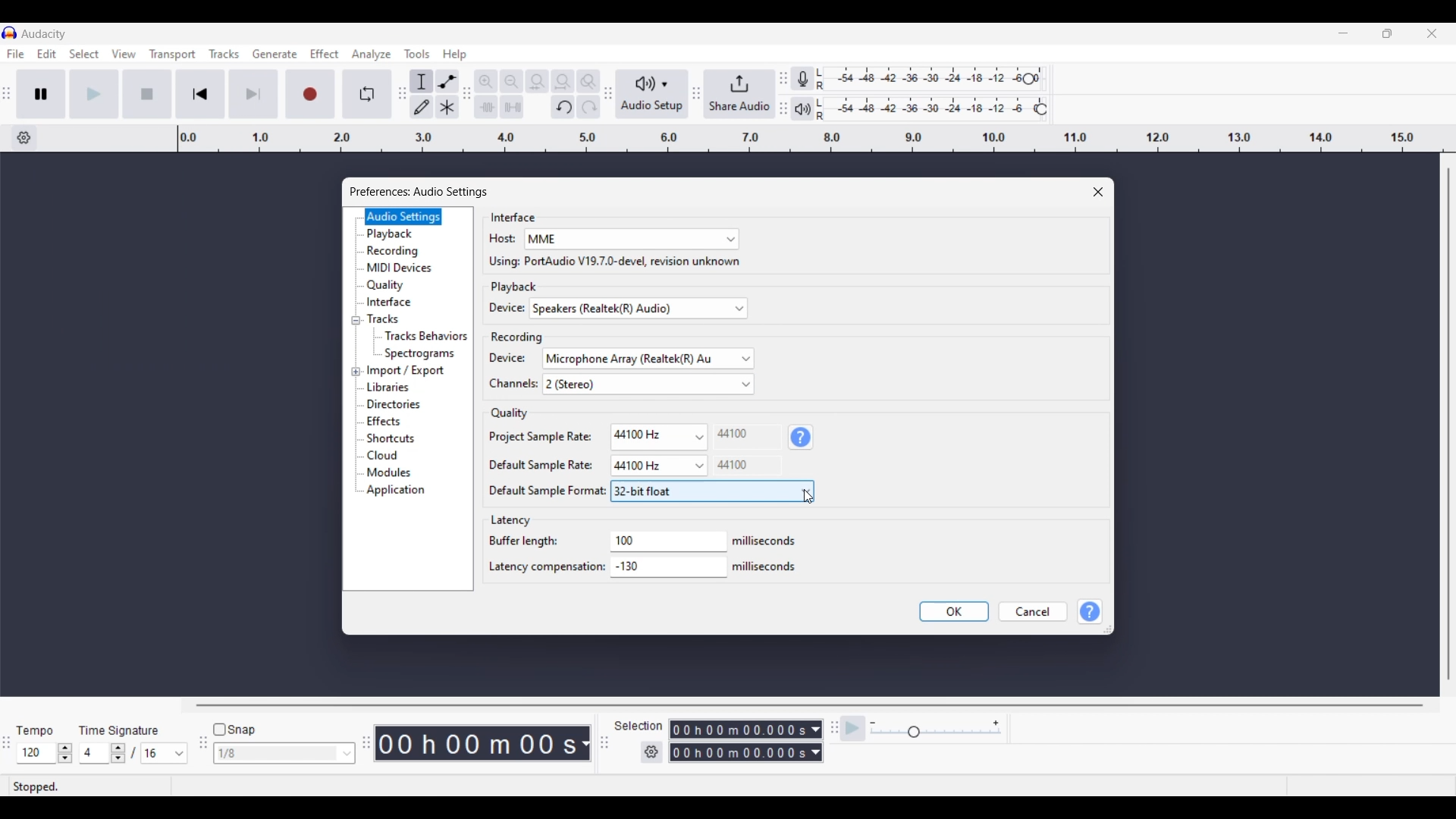  Describe the element at coordinates (454, 55) in the screenshot. I see `Help menu` at that location.